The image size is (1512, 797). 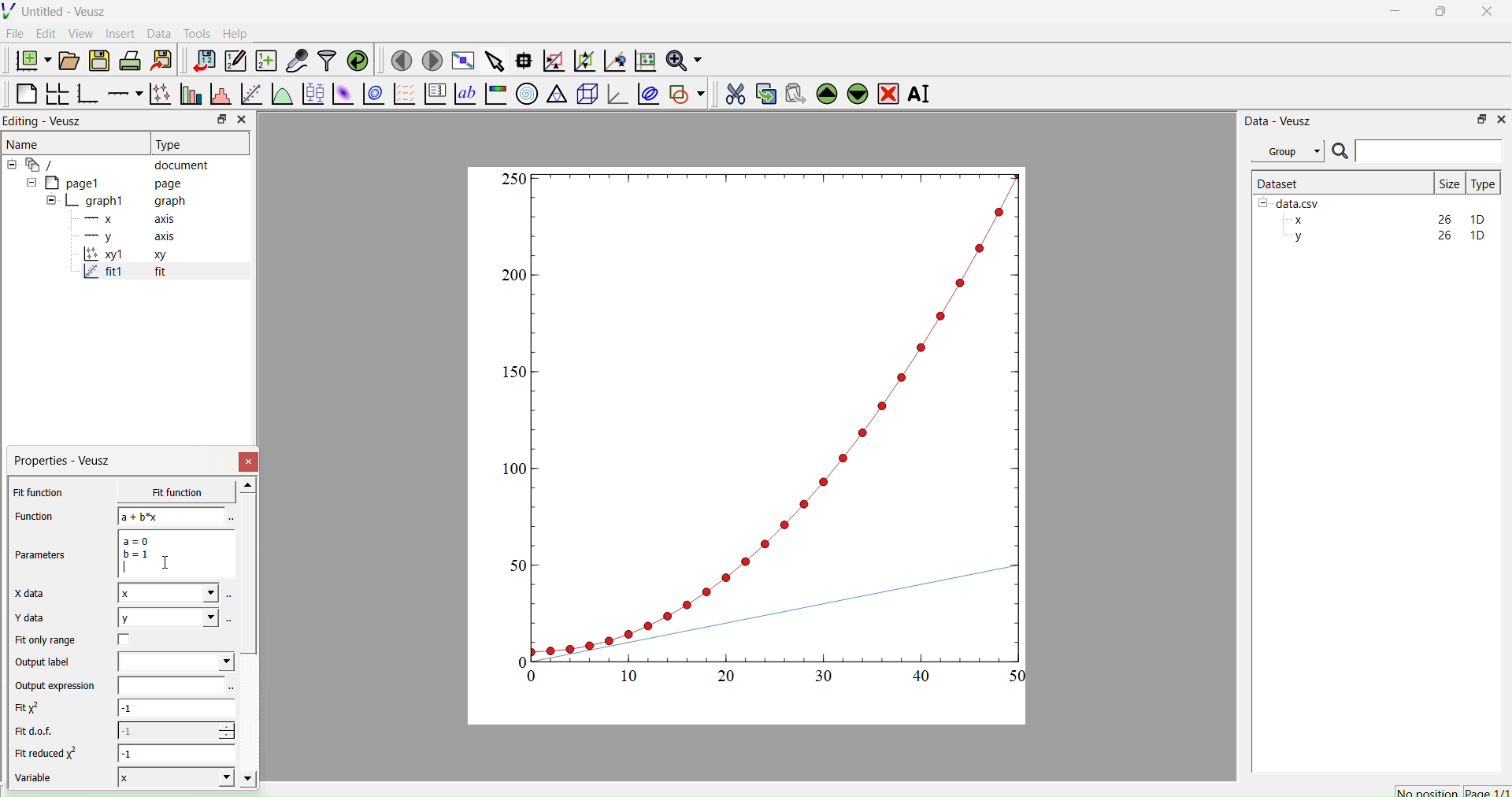 I want to click on a= 0 b=1 , so click(x=173, y=554).